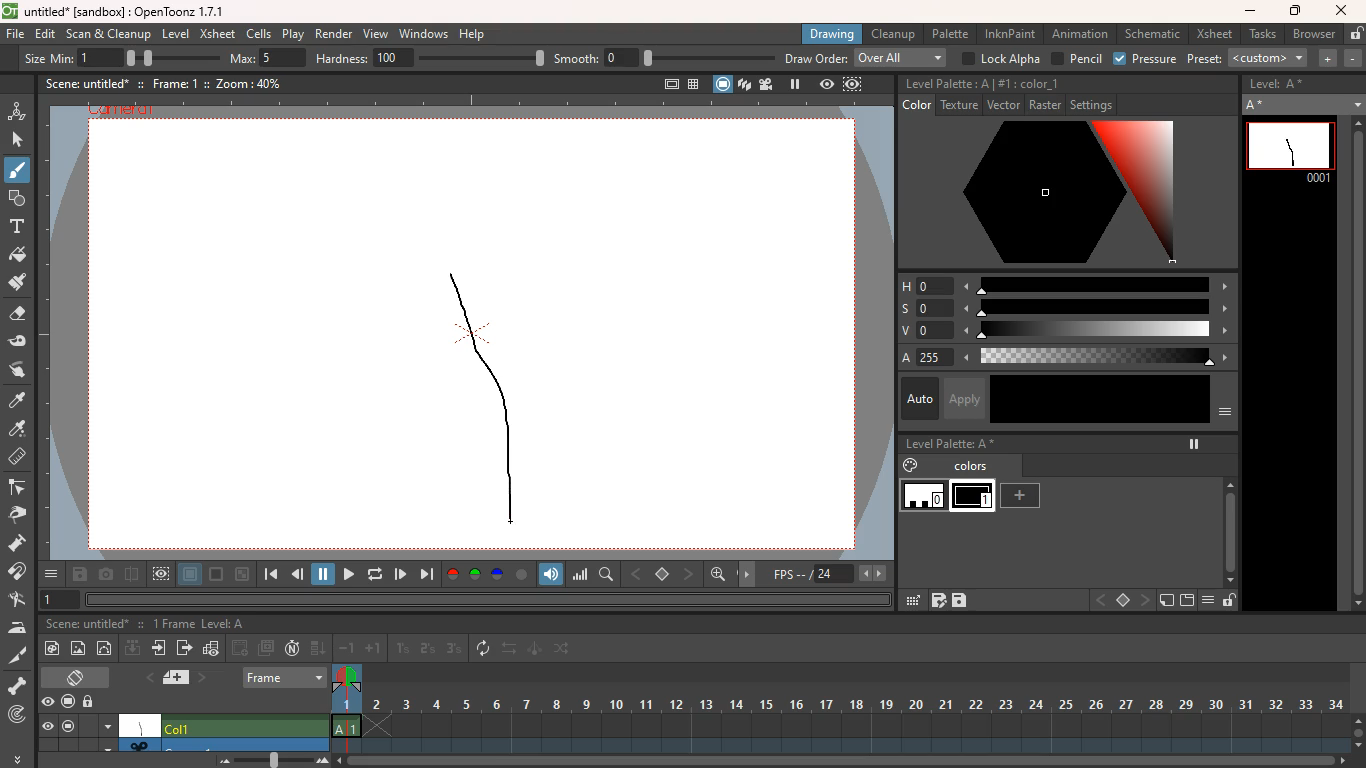 This screenshot has height=768, width=1366. What do you see at coordinates (218, 35) in the screenshot?
I see `xsheet` at bounding box center [218, 35].